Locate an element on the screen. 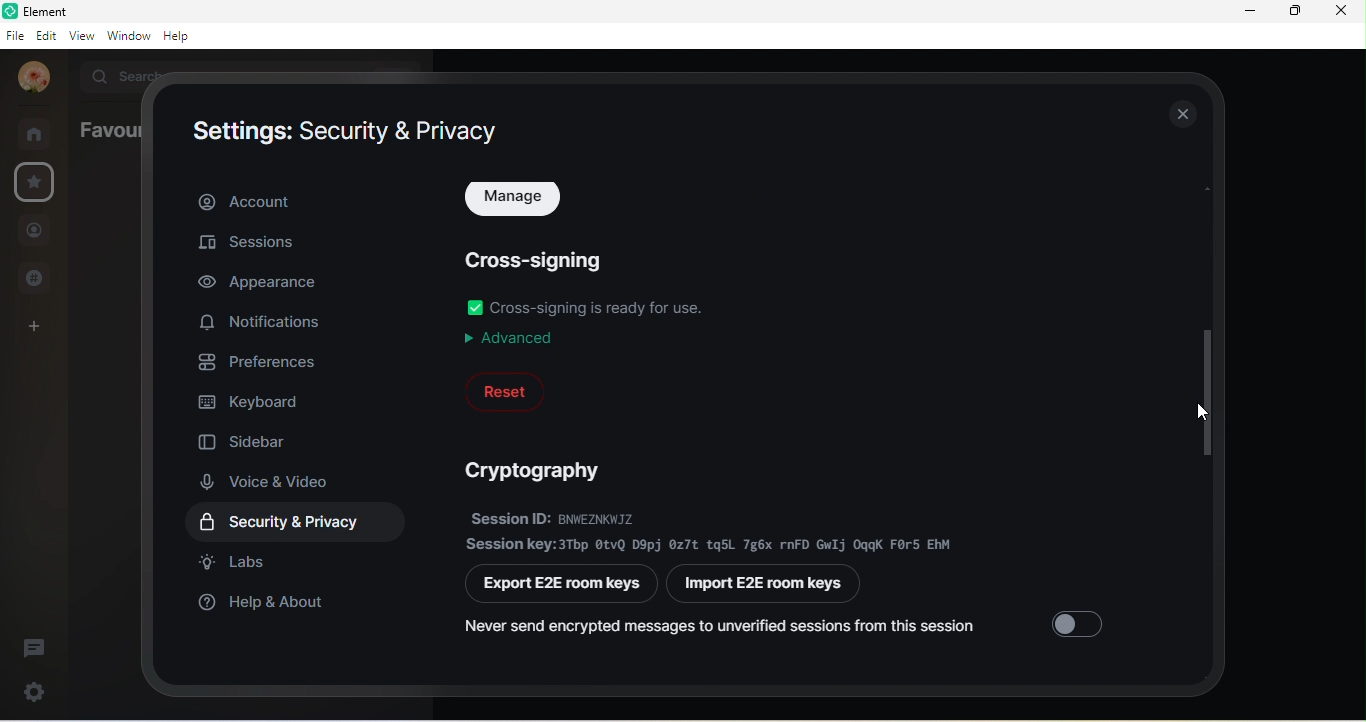 The width and height of the screenshot is (1366, 722). never send encrypted messages to unverified sessions from this session is located at coordinates (721, 629).